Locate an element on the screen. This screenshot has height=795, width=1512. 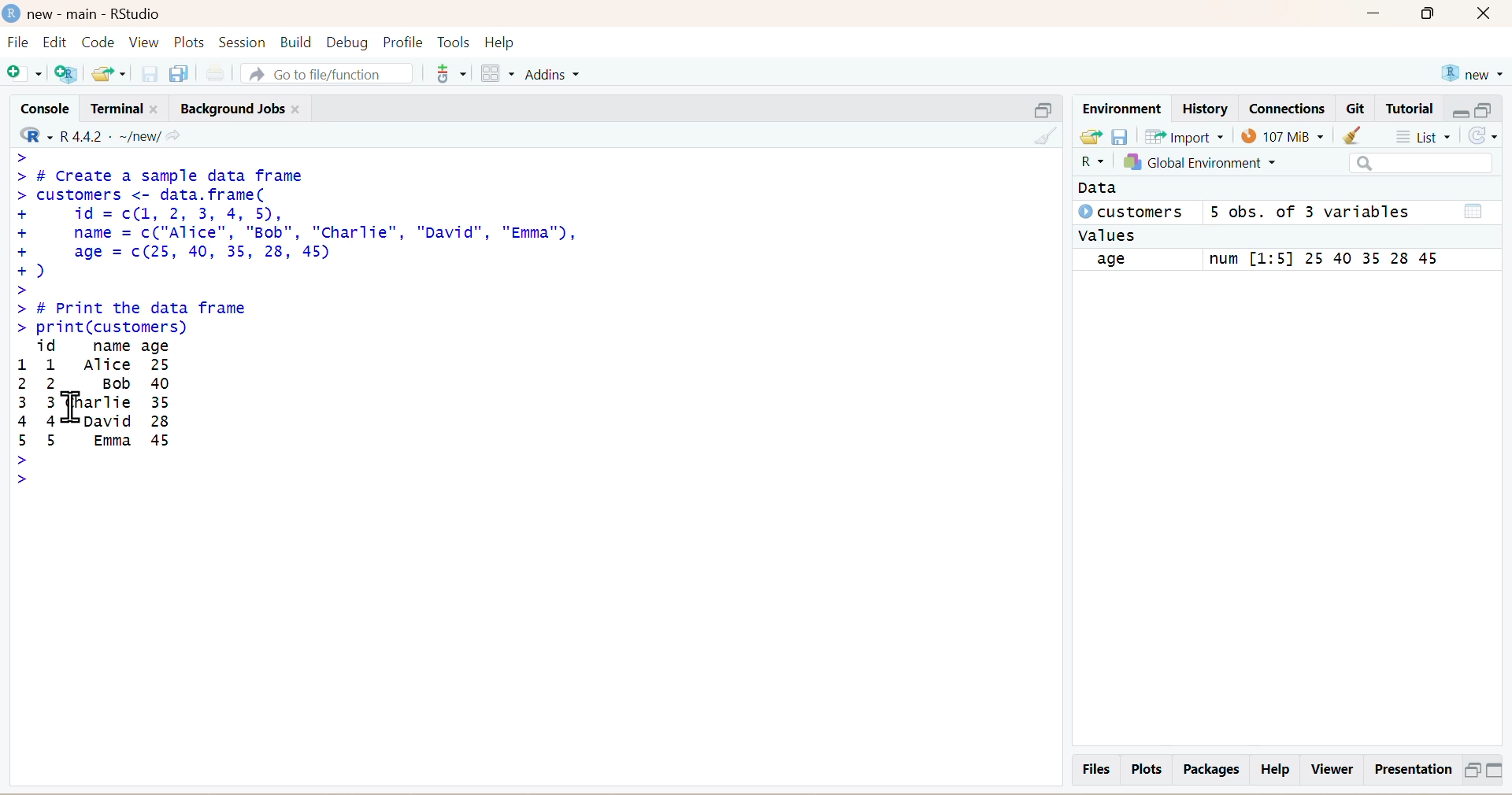
save all is located at coordinates (179, 72).